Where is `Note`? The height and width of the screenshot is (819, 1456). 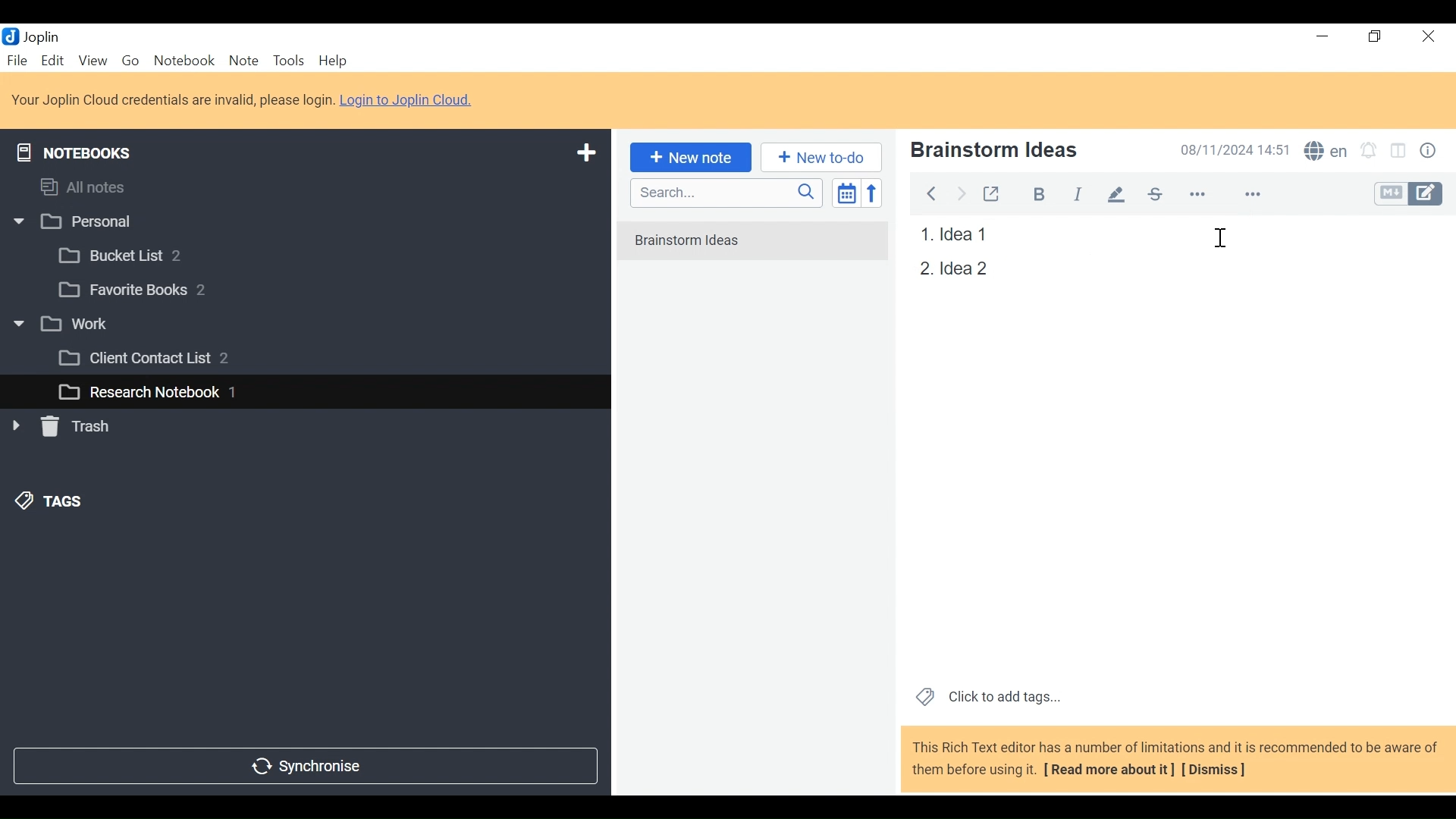
Note is located at coordinates (243, 60).